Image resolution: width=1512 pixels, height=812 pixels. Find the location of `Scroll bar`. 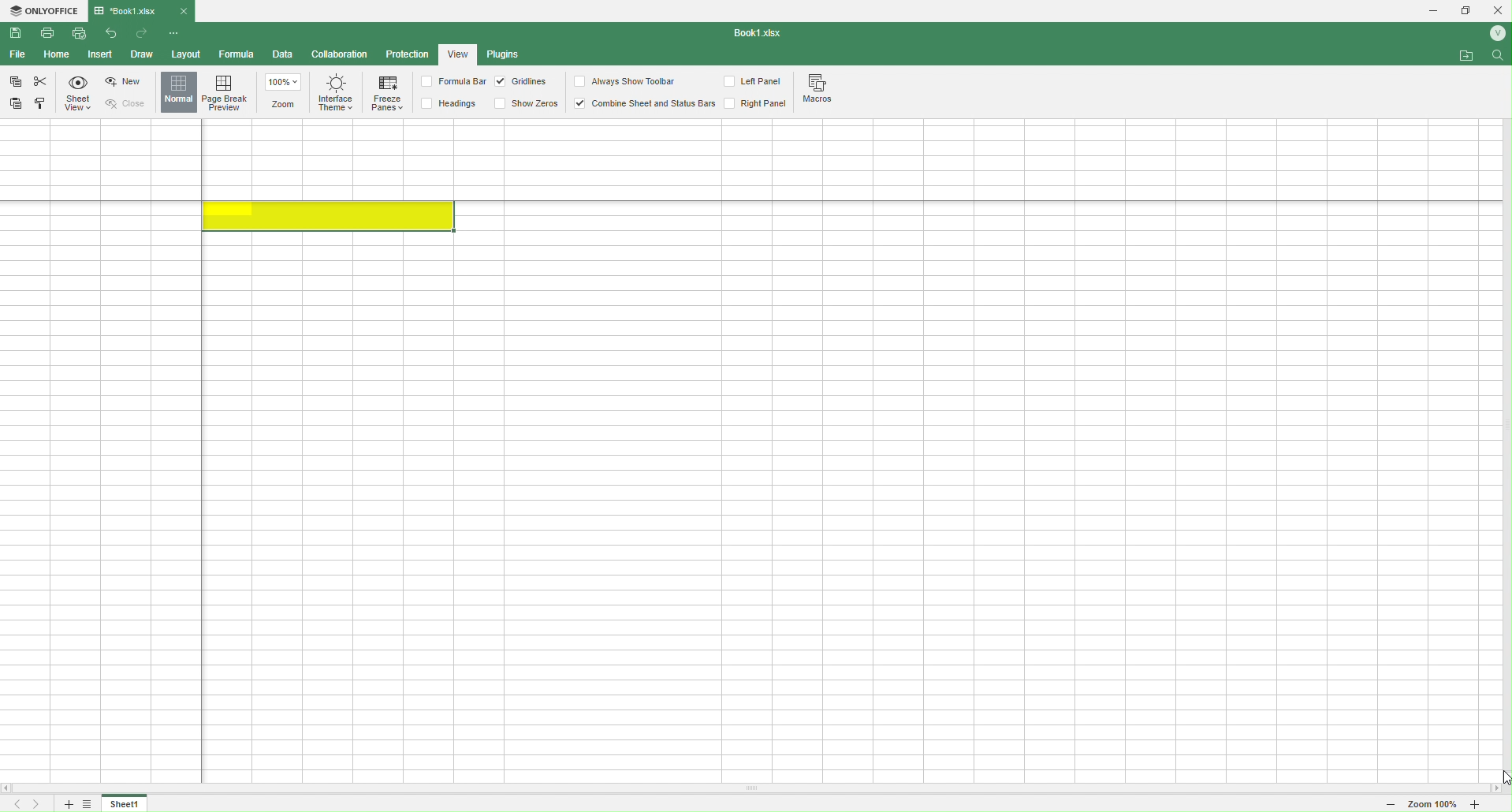

Scroll bar is located at coordinates (756, 789).